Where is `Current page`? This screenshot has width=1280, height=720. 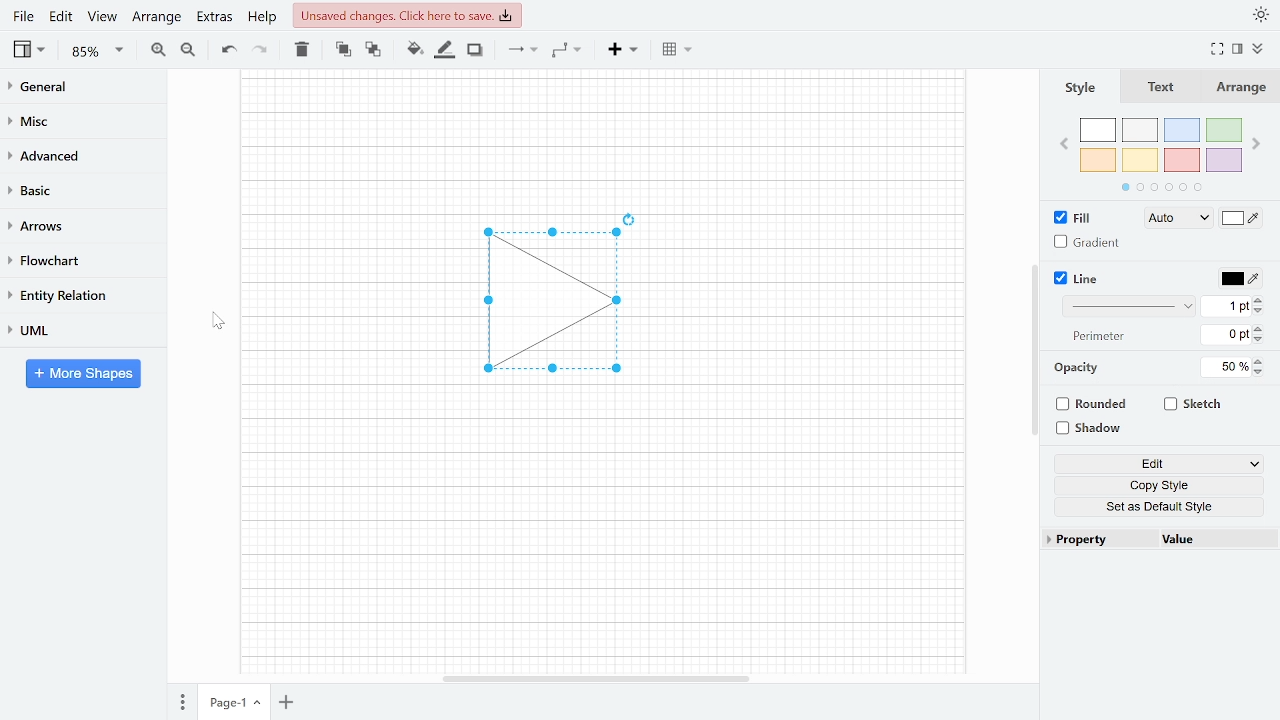
Current page is located at coordinates (223, 703).